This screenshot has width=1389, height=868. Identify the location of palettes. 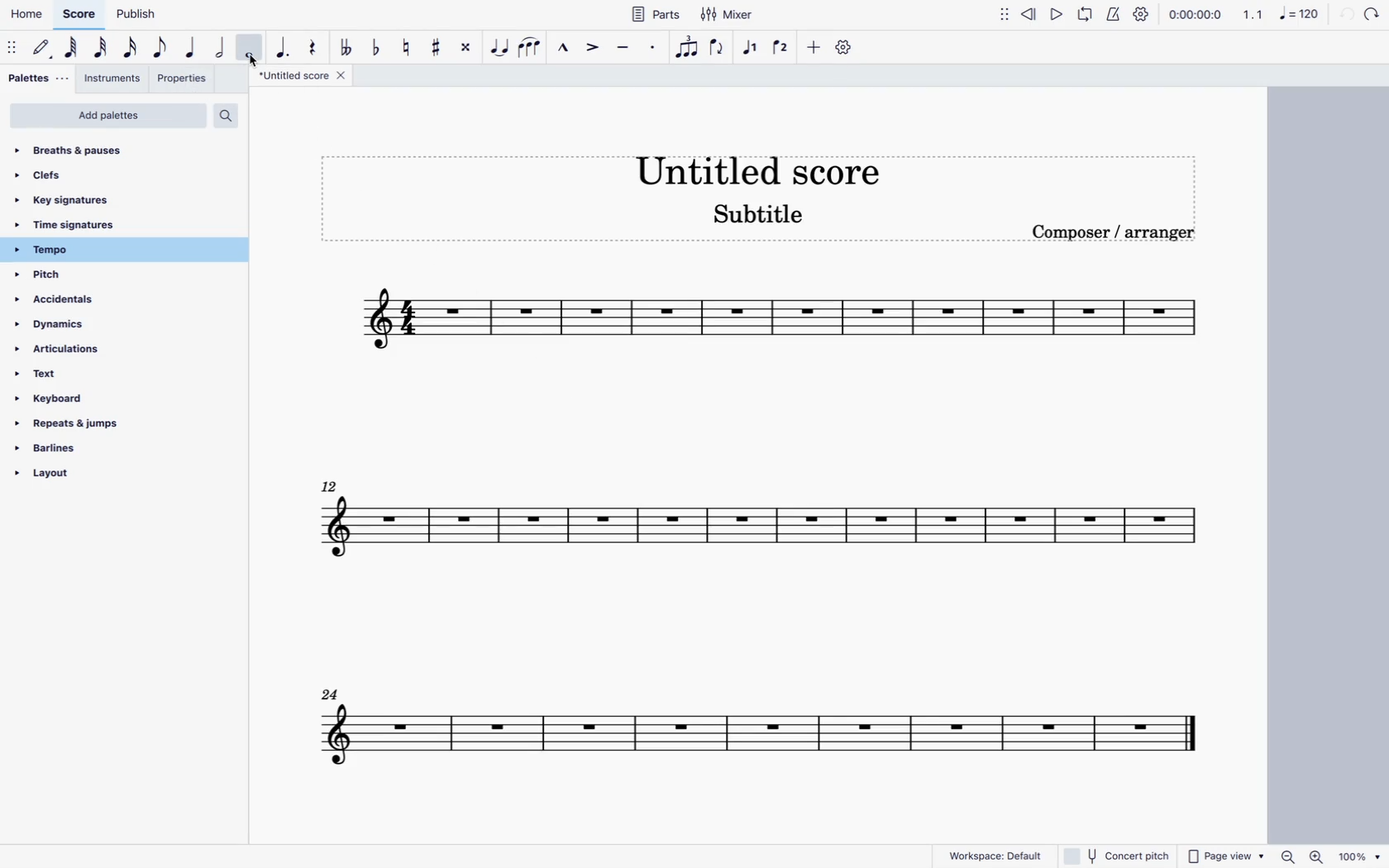
(38, 80).